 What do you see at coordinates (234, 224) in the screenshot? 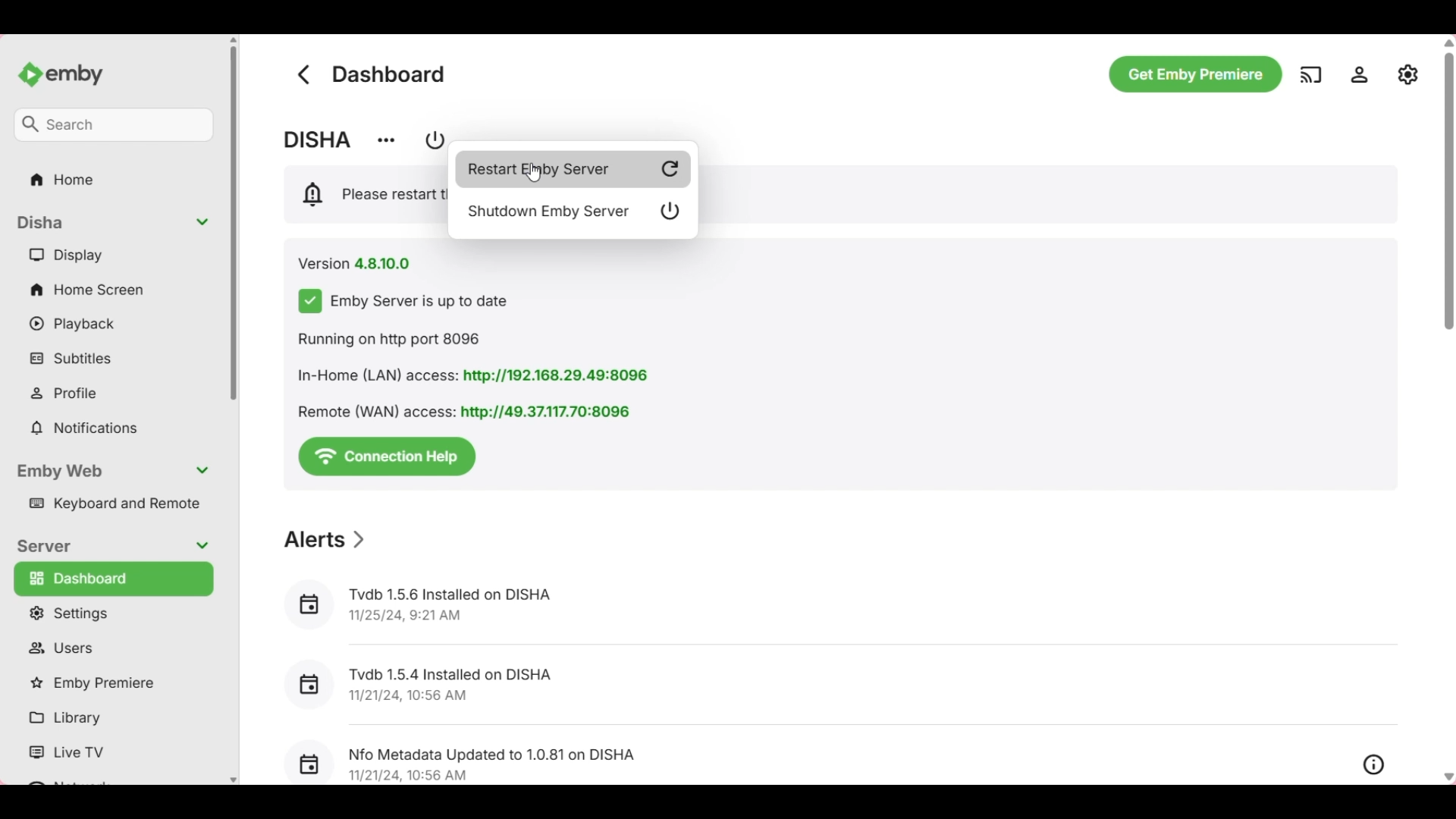
I see `Vertical slide bar for left panel` at bounding box center [234, 224].